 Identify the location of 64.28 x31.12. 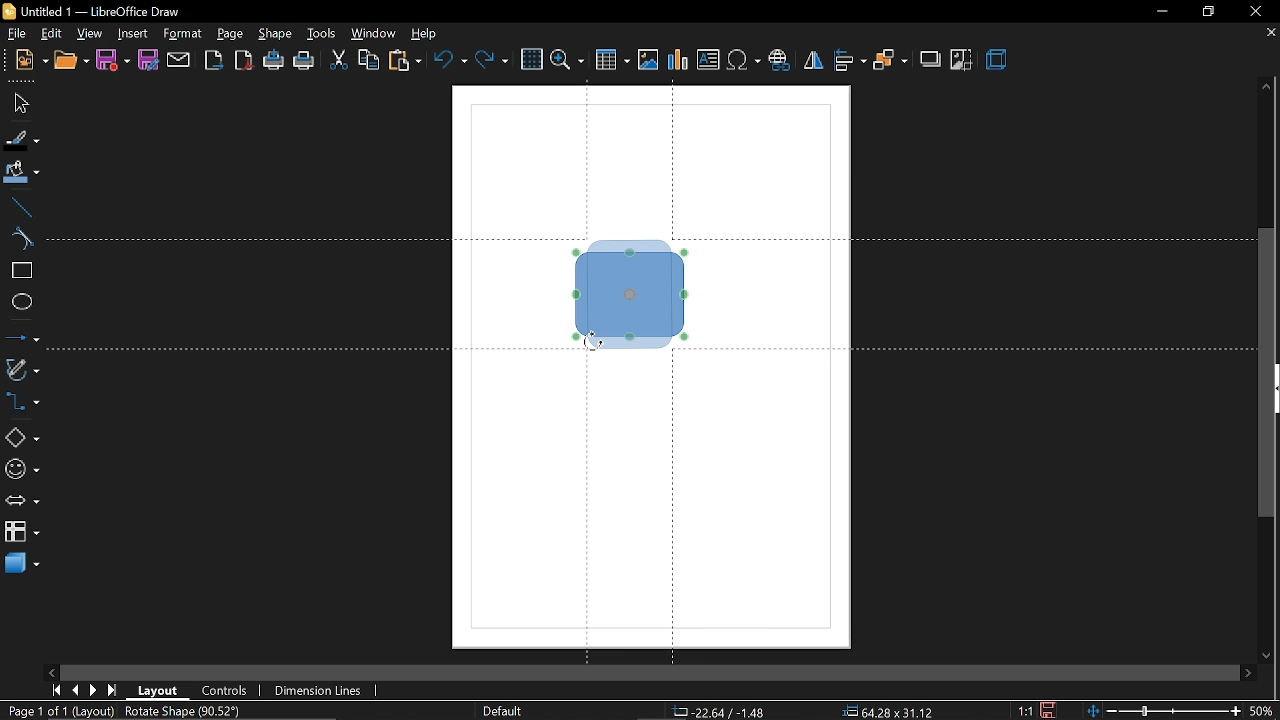
(882, 712).